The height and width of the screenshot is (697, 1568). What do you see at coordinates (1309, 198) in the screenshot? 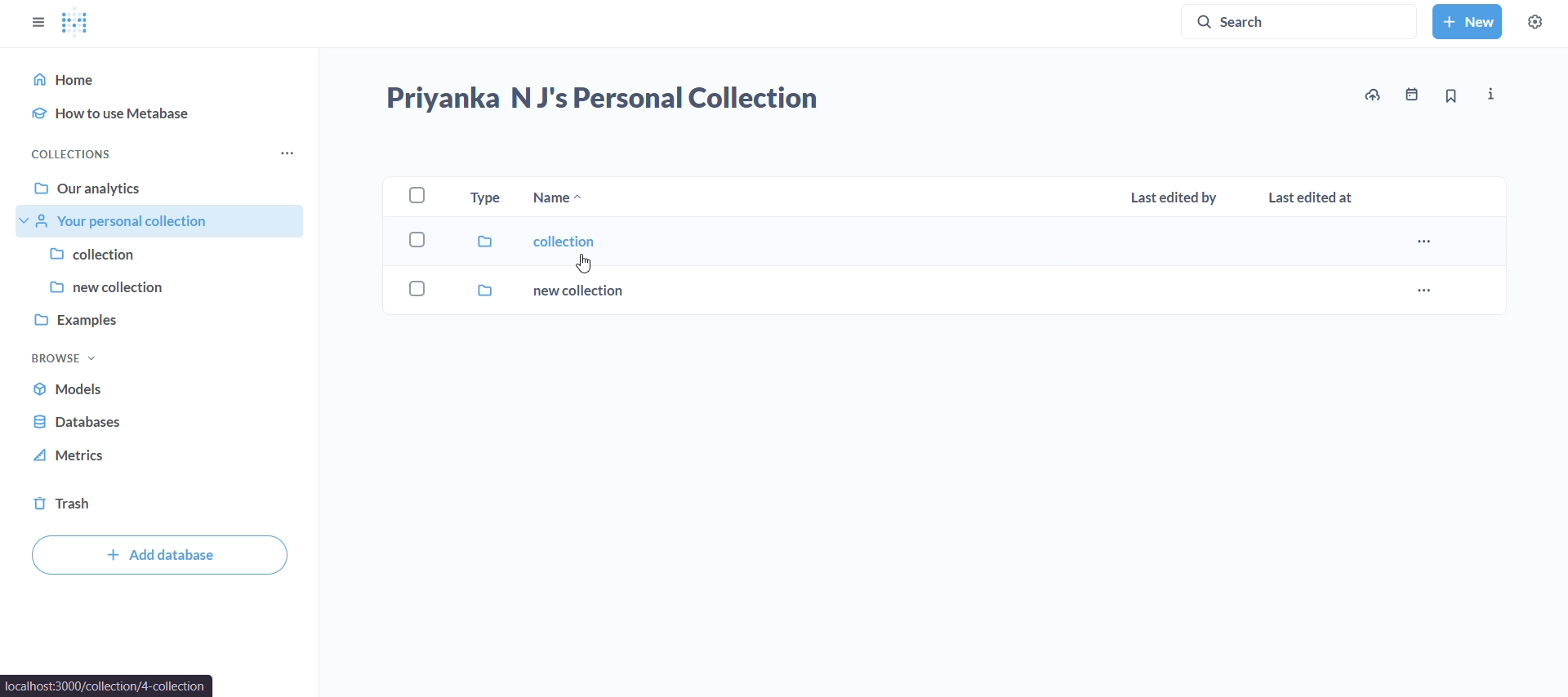
I see `last edited at` at bounding box center [1309, 198].